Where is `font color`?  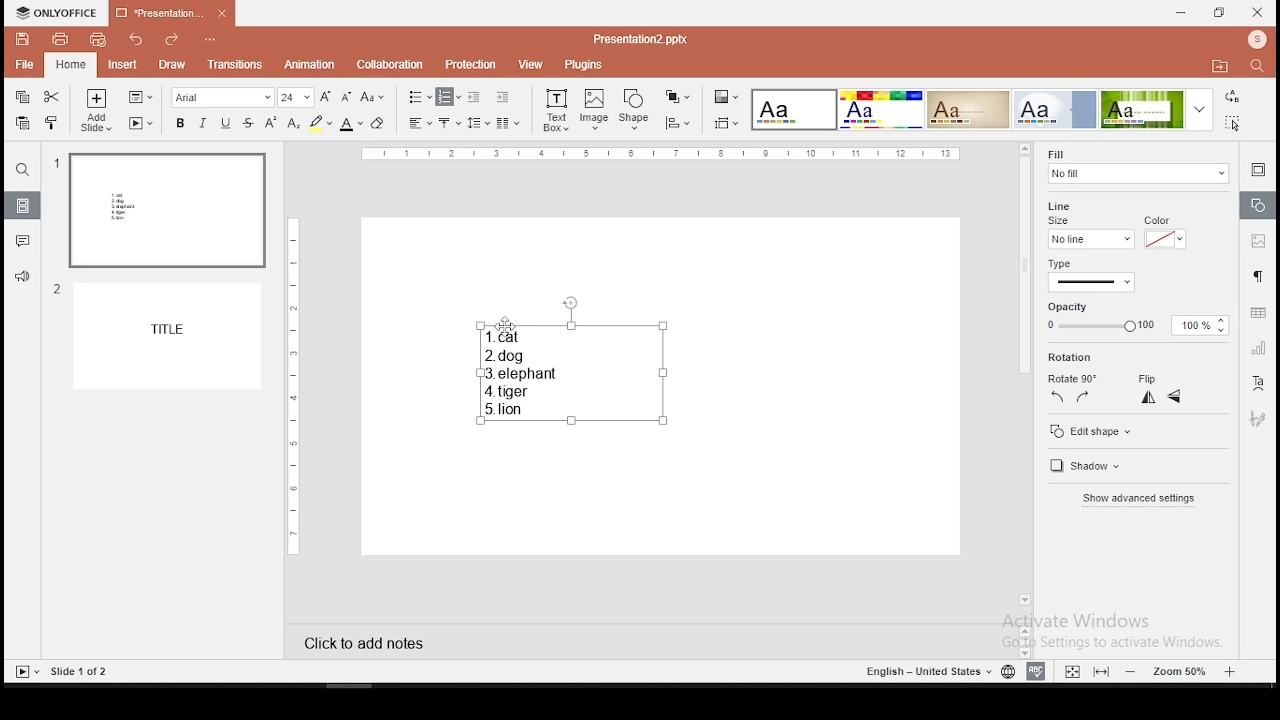 font color is located at coordinates (351, 123).